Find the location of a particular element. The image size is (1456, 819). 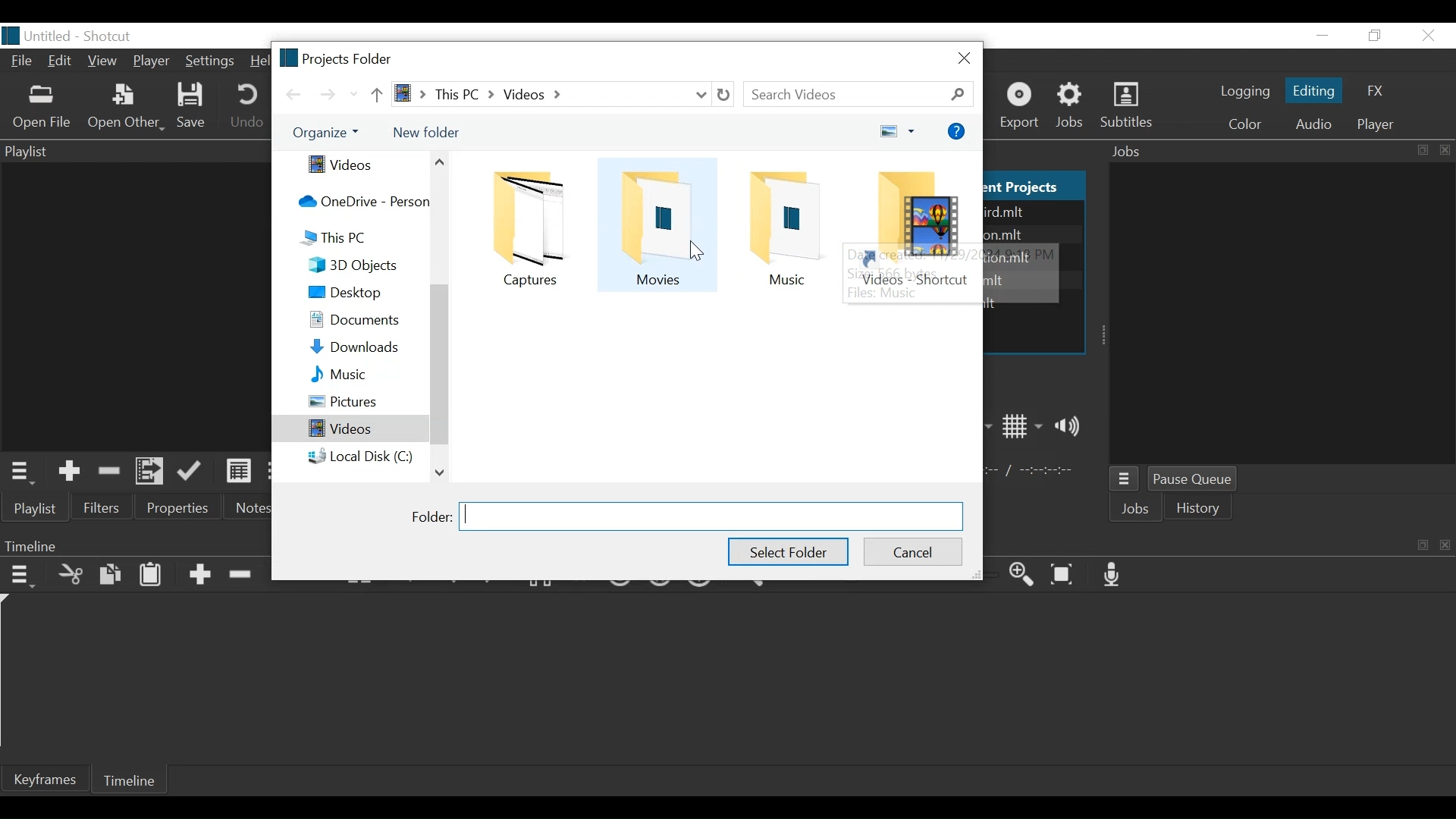

Folder is located at coordinates (656, 224).